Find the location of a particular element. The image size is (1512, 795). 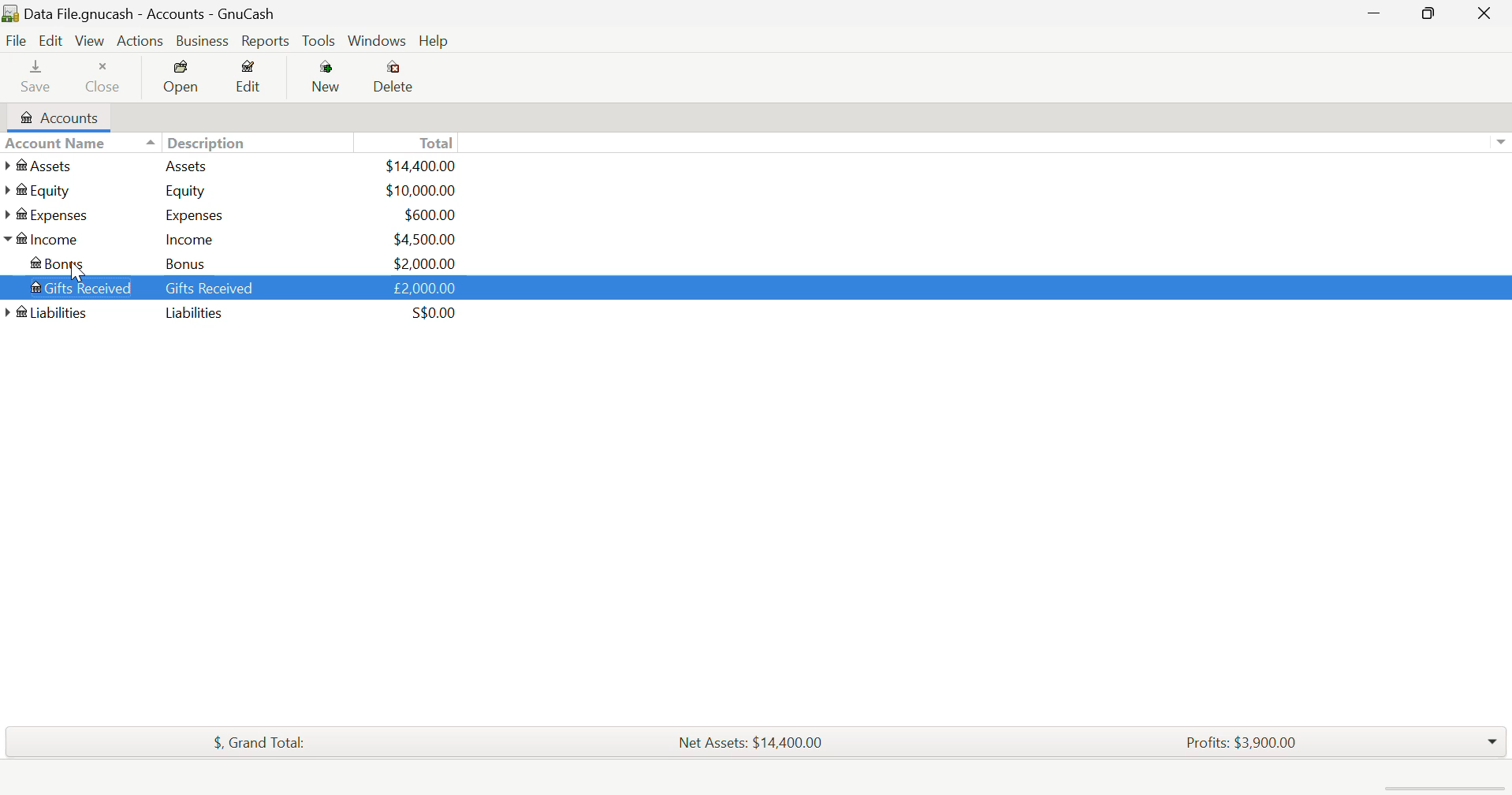

Net Assets: $14,400.00 is located at coordinates (755, 740).